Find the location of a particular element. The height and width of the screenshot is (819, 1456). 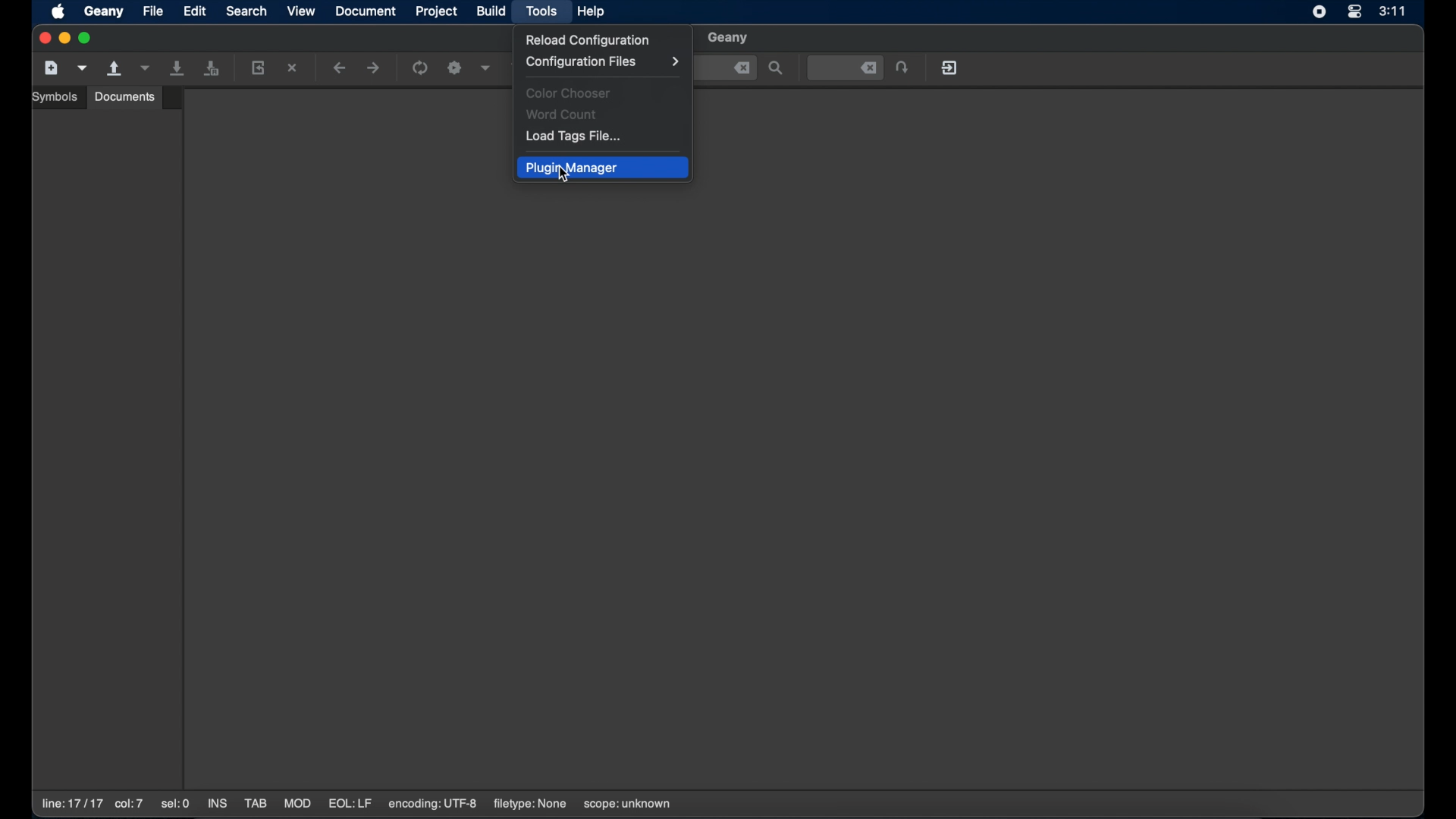

run the current file is located at coordinates (421, 68).